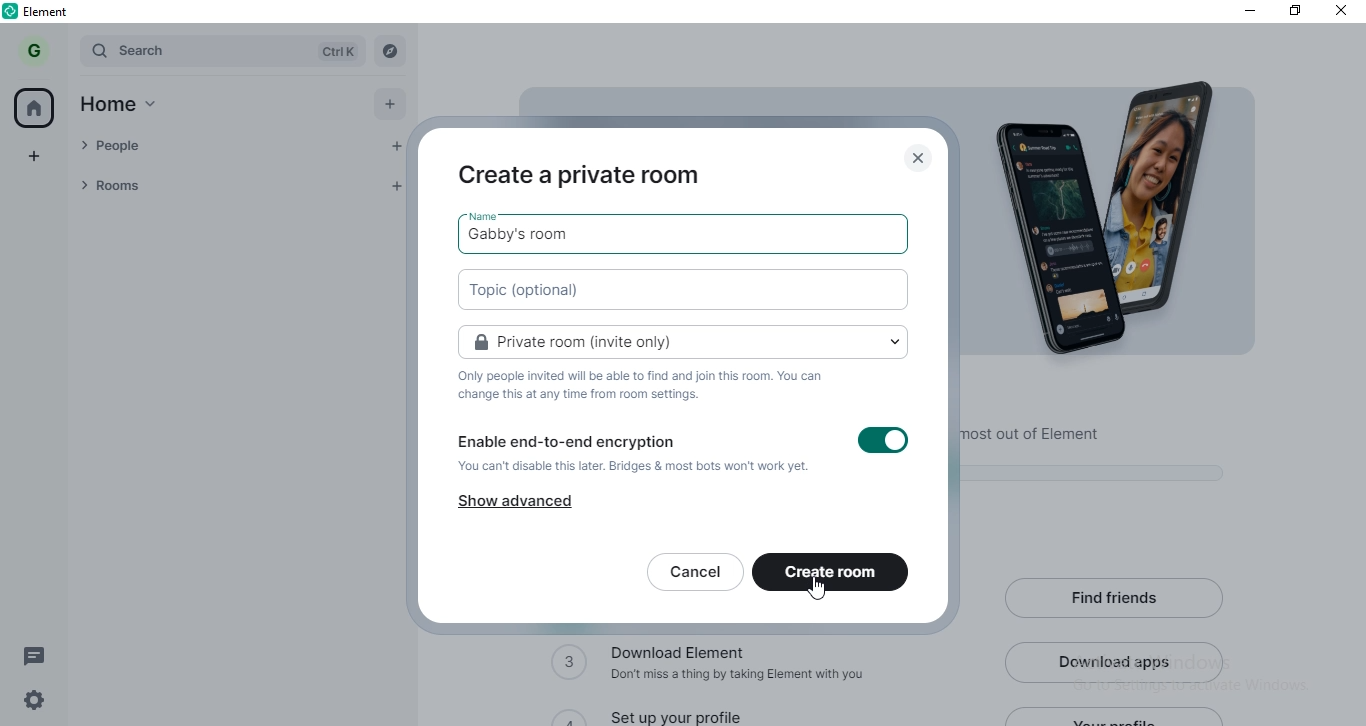  Describe the element at coordinates (1116, 660) in the screenshot. I see `download apps` at that location.